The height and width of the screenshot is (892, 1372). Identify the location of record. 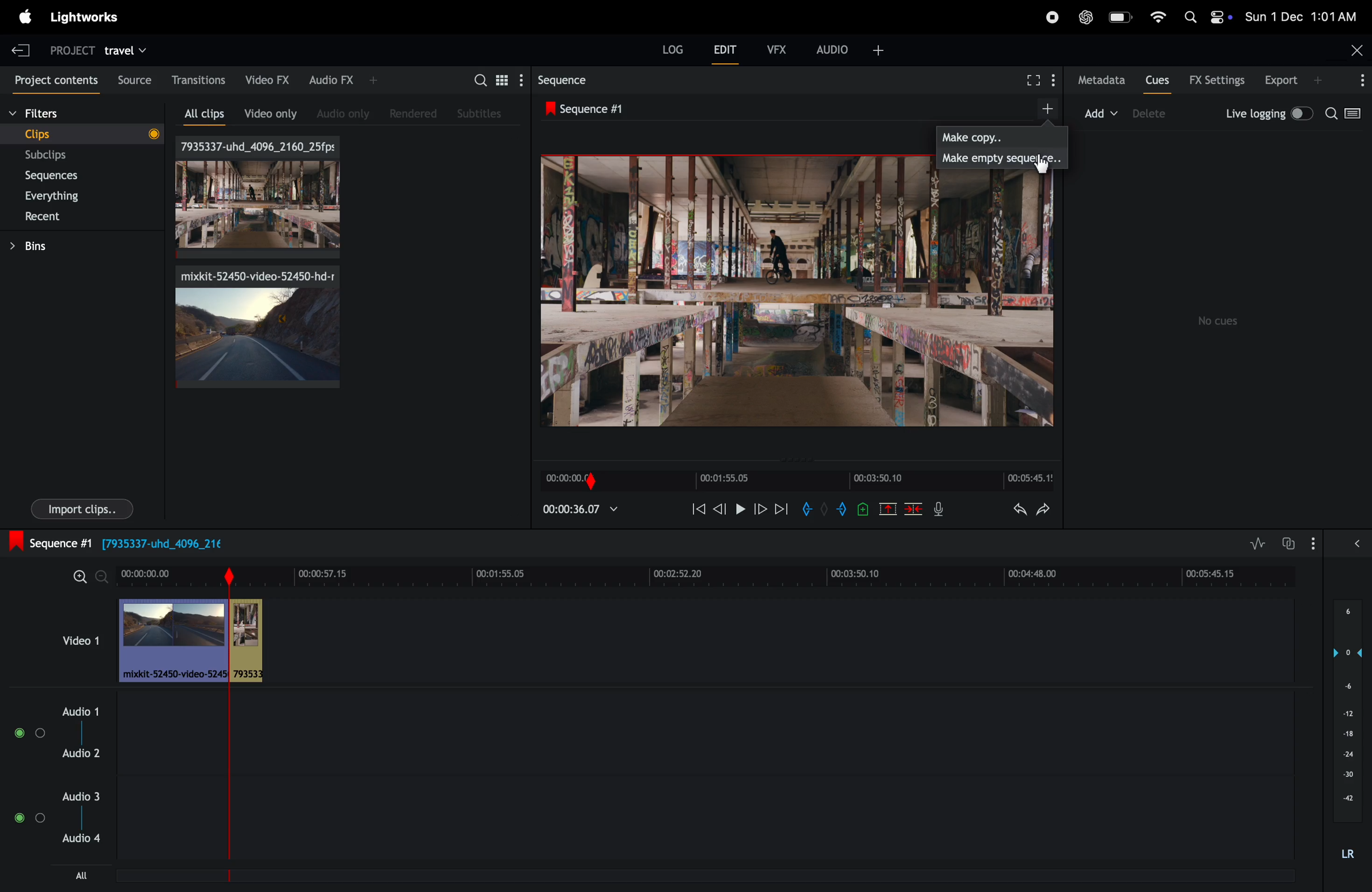
(1049, 18).